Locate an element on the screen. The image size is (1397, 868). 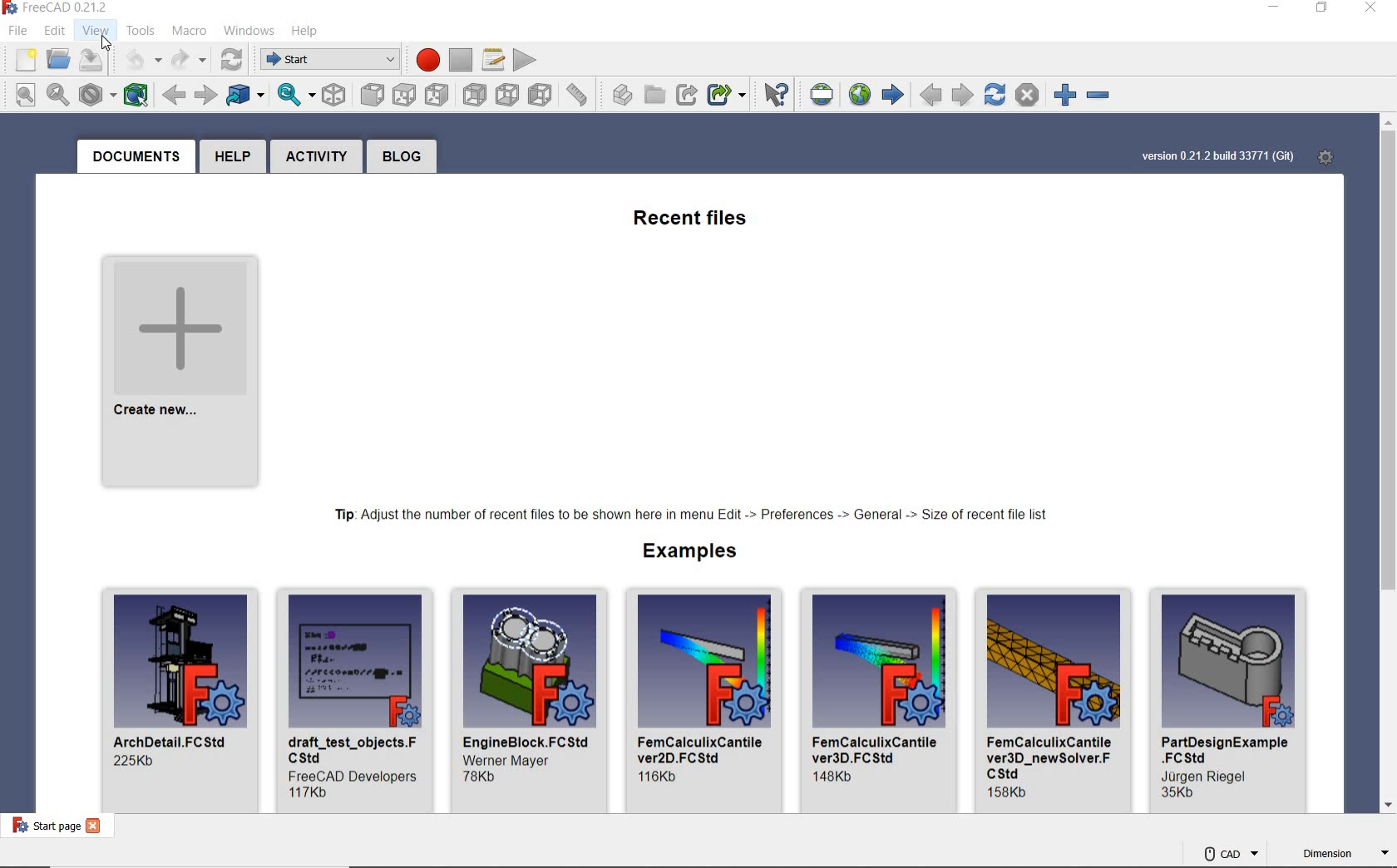
Tips is located at coordinates (692, 515).